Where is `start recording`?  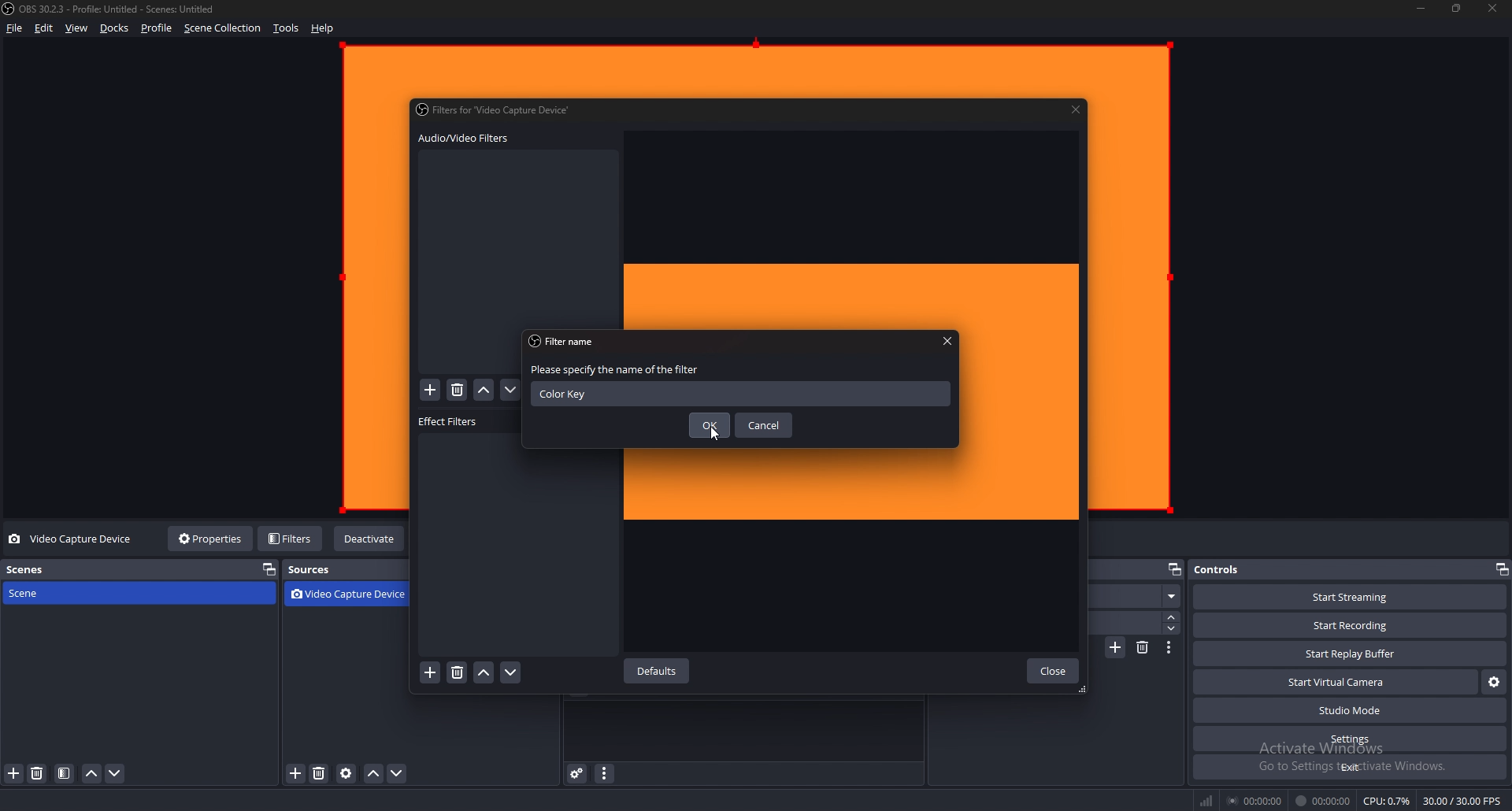
start recording is located at coordinates (1351, 626).